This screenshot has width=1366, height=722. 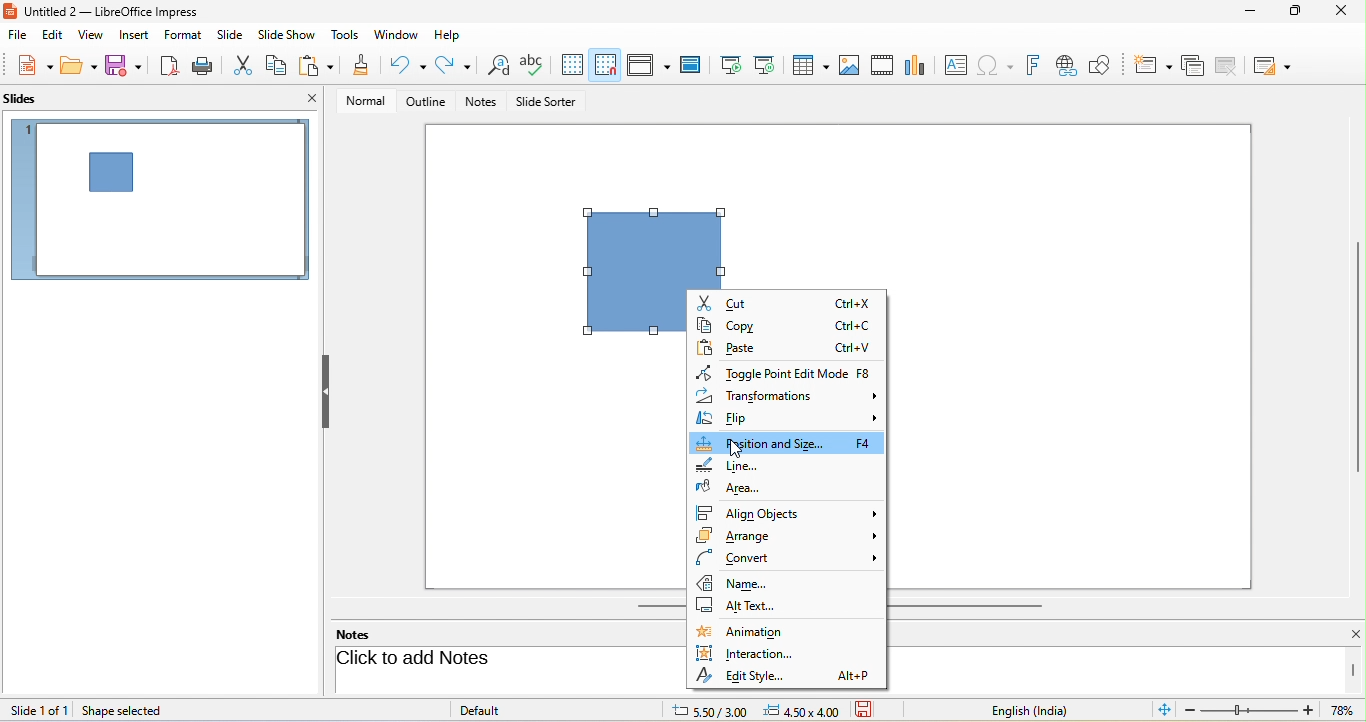 What do you see at coordinates (502, 709) in the screenshot?
I see `default` at bounding box center [502, 709].